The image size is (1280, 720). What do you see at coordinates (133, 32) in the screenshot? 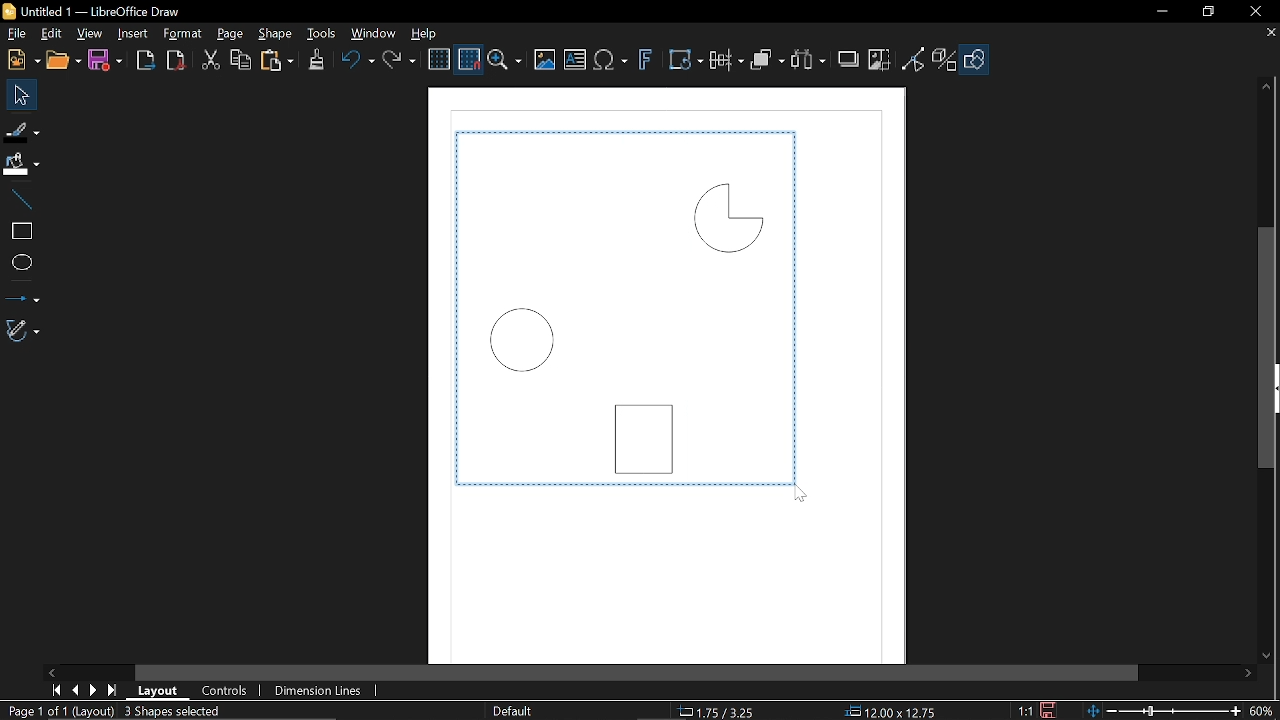
I see `Insert` at bounding box center [133, 32].